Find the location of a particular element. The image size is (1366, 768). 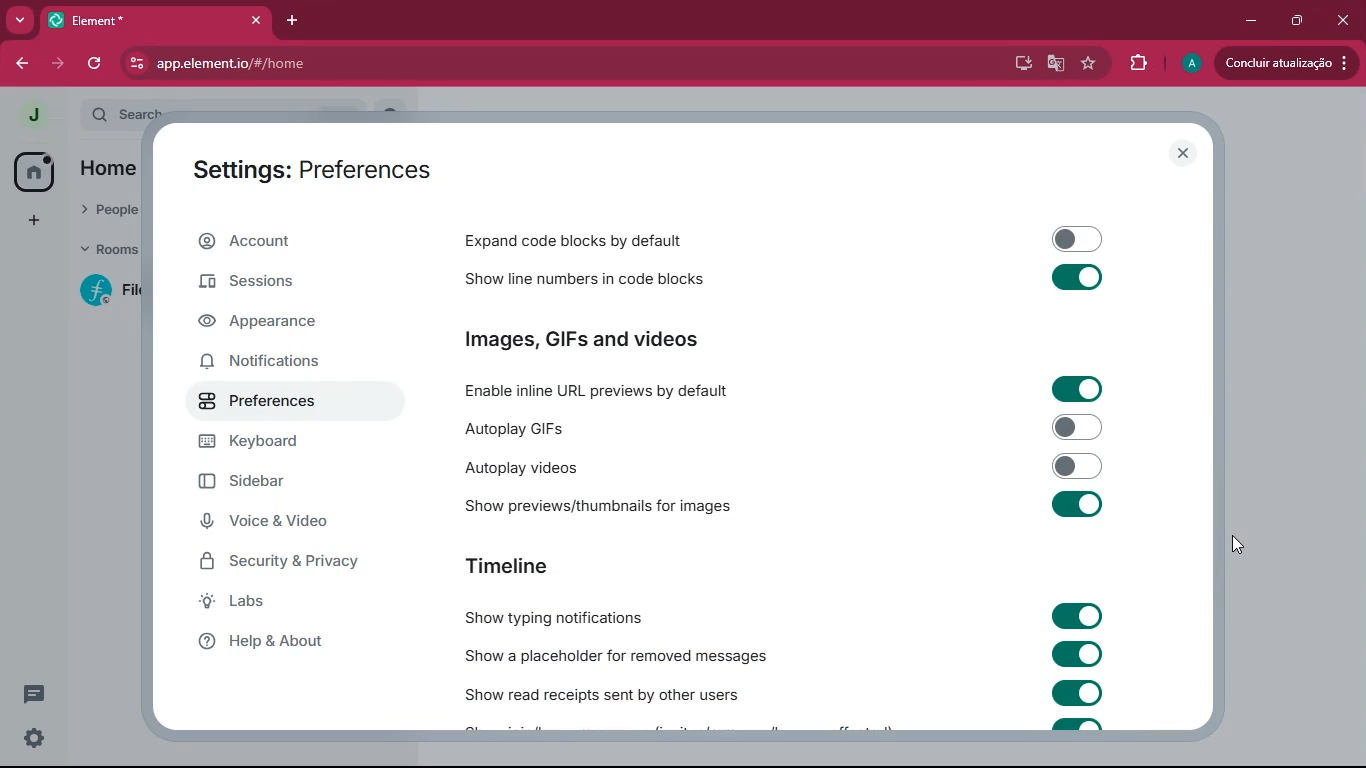

app.element.io/#/home is located at coordinates (349, 64).